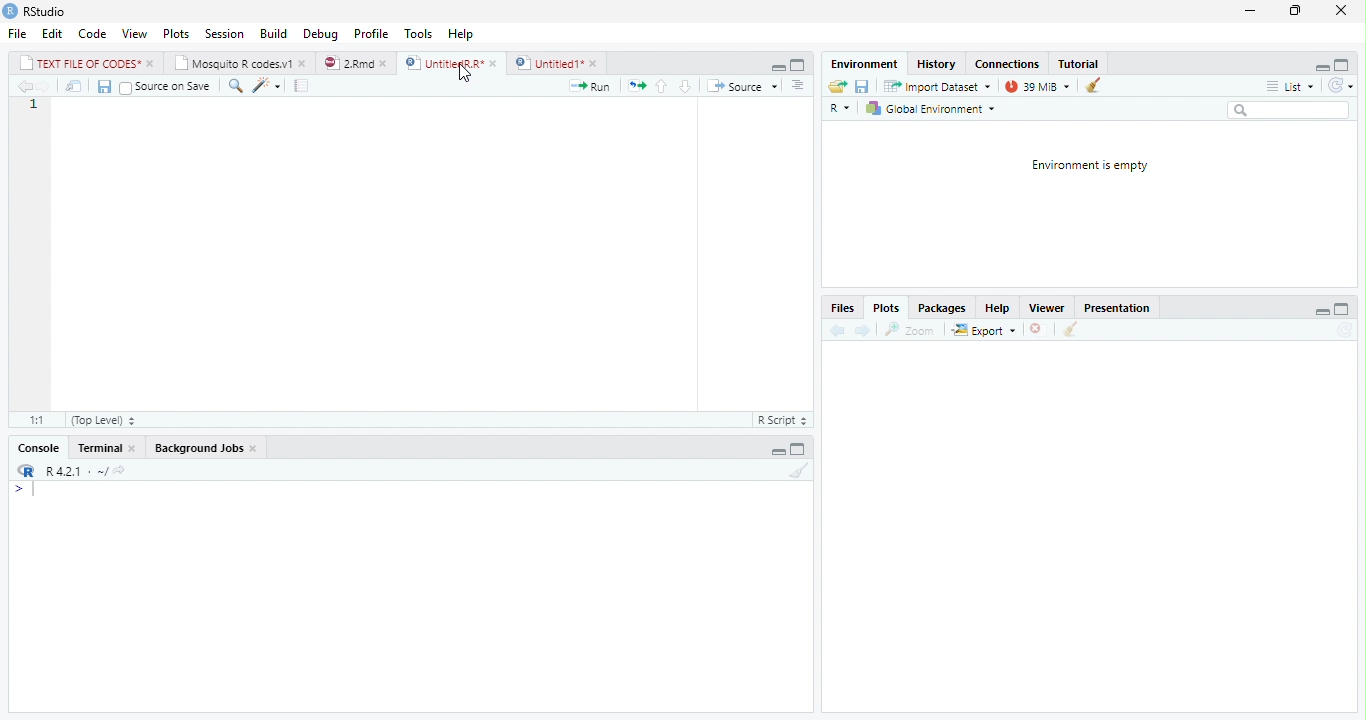 The width and height of the screenshot is (1366, 720). What do you see at coordinates (591, 85) in the screenshot?
I see `Run` at bounding box center [591, 85].